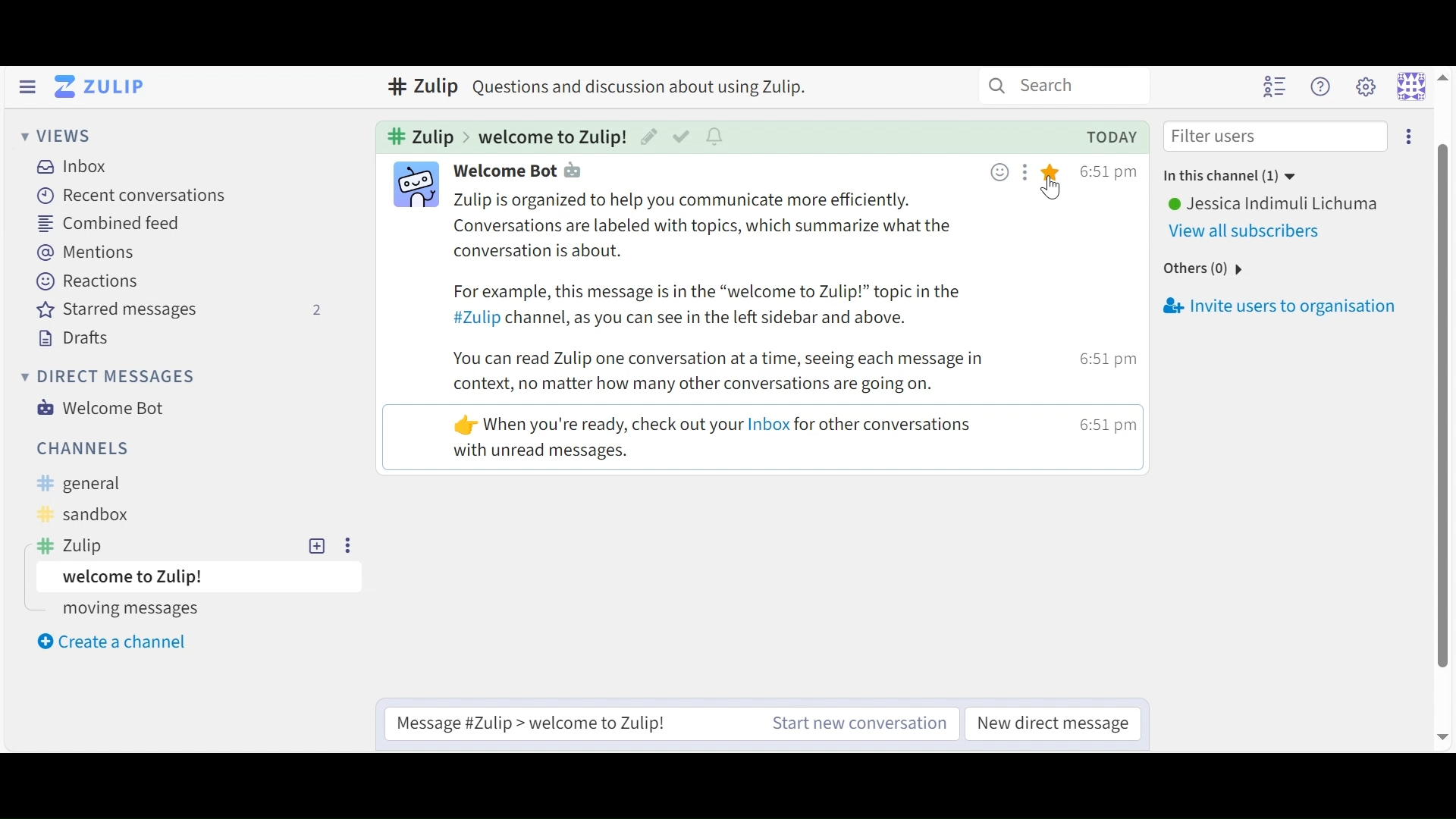 This screenshot has height=819, width=1456. I want to click on Add topic, so click(318, 547).